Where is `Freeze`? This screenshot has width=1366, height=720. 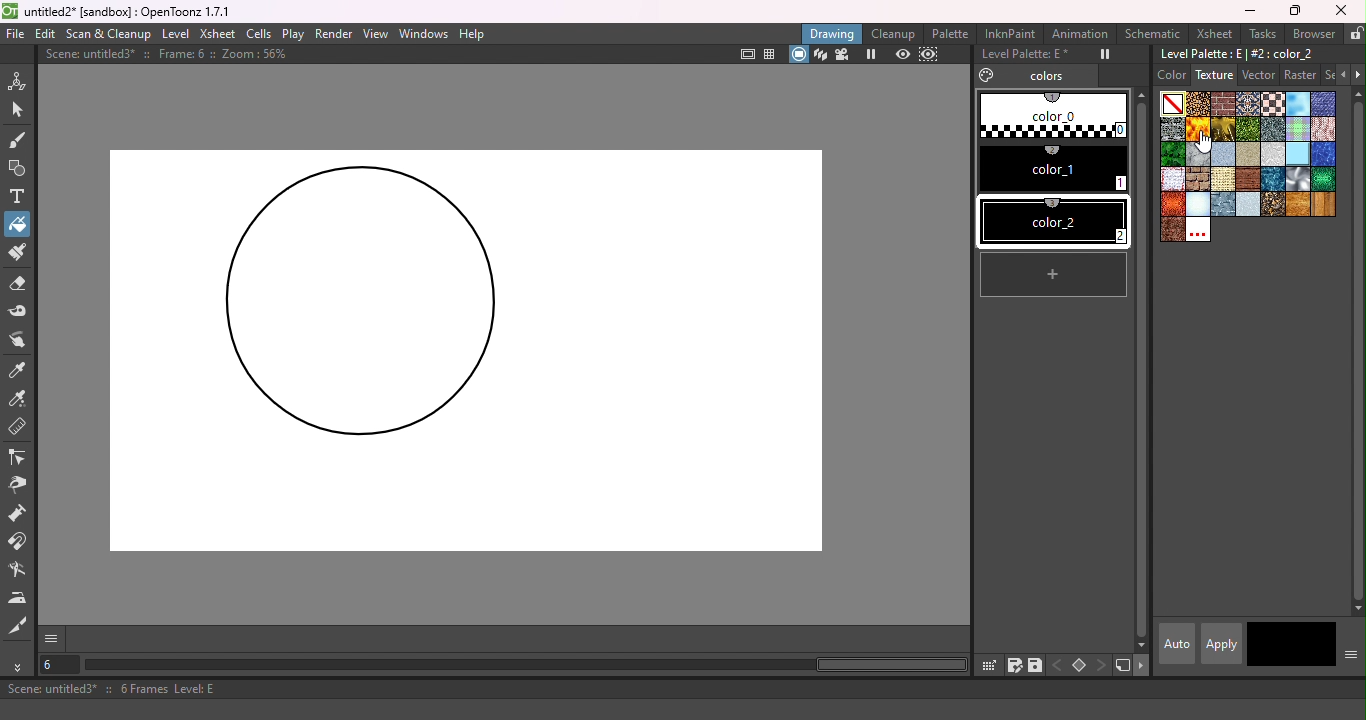
Freeze is located at coordinates (872, 54).